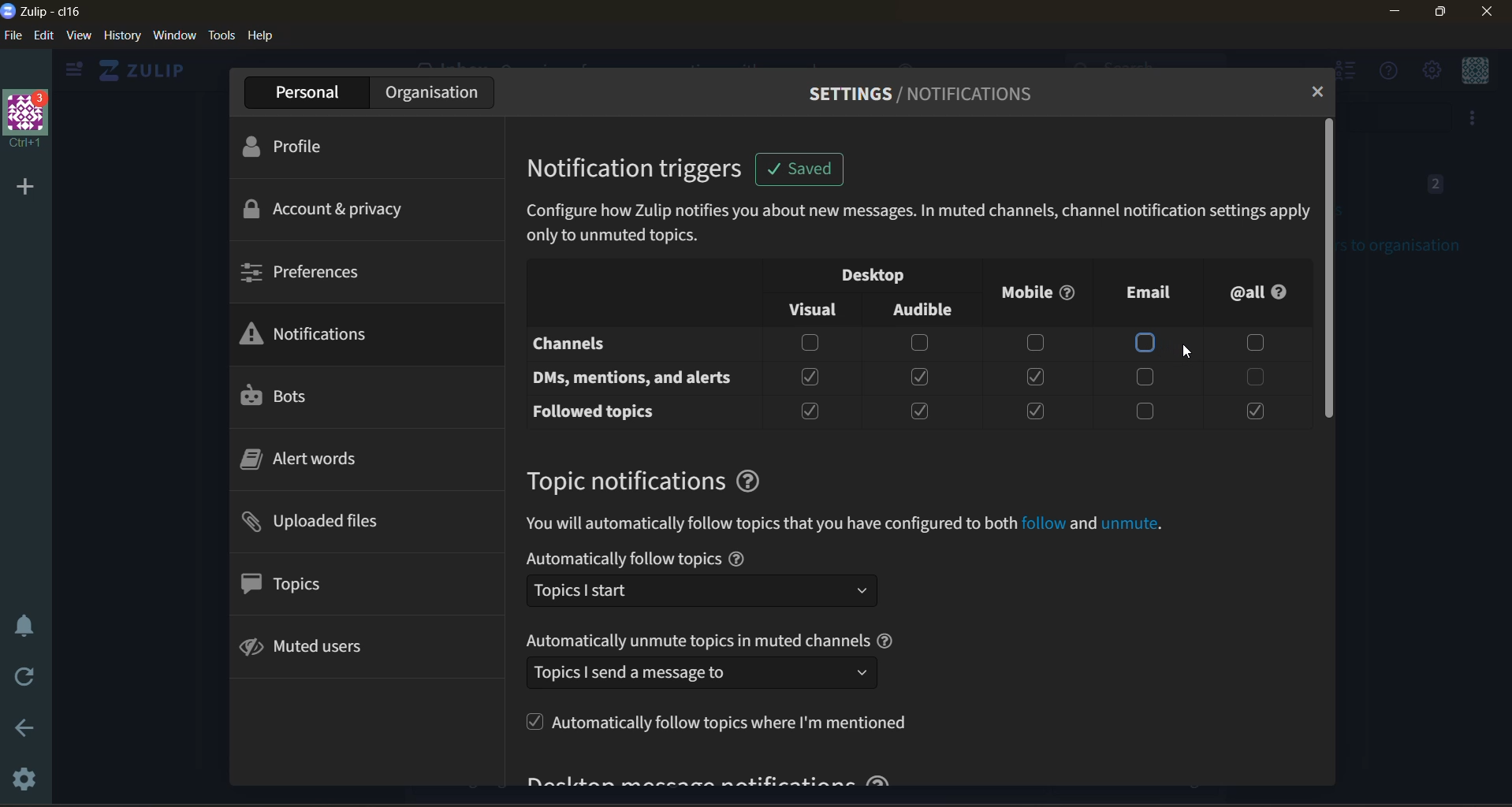 The image size is (1512, 807). What do you see at coordinates (1384, 72) in the screenshot?
I see `help menu` at bounding box center [1384, 72].